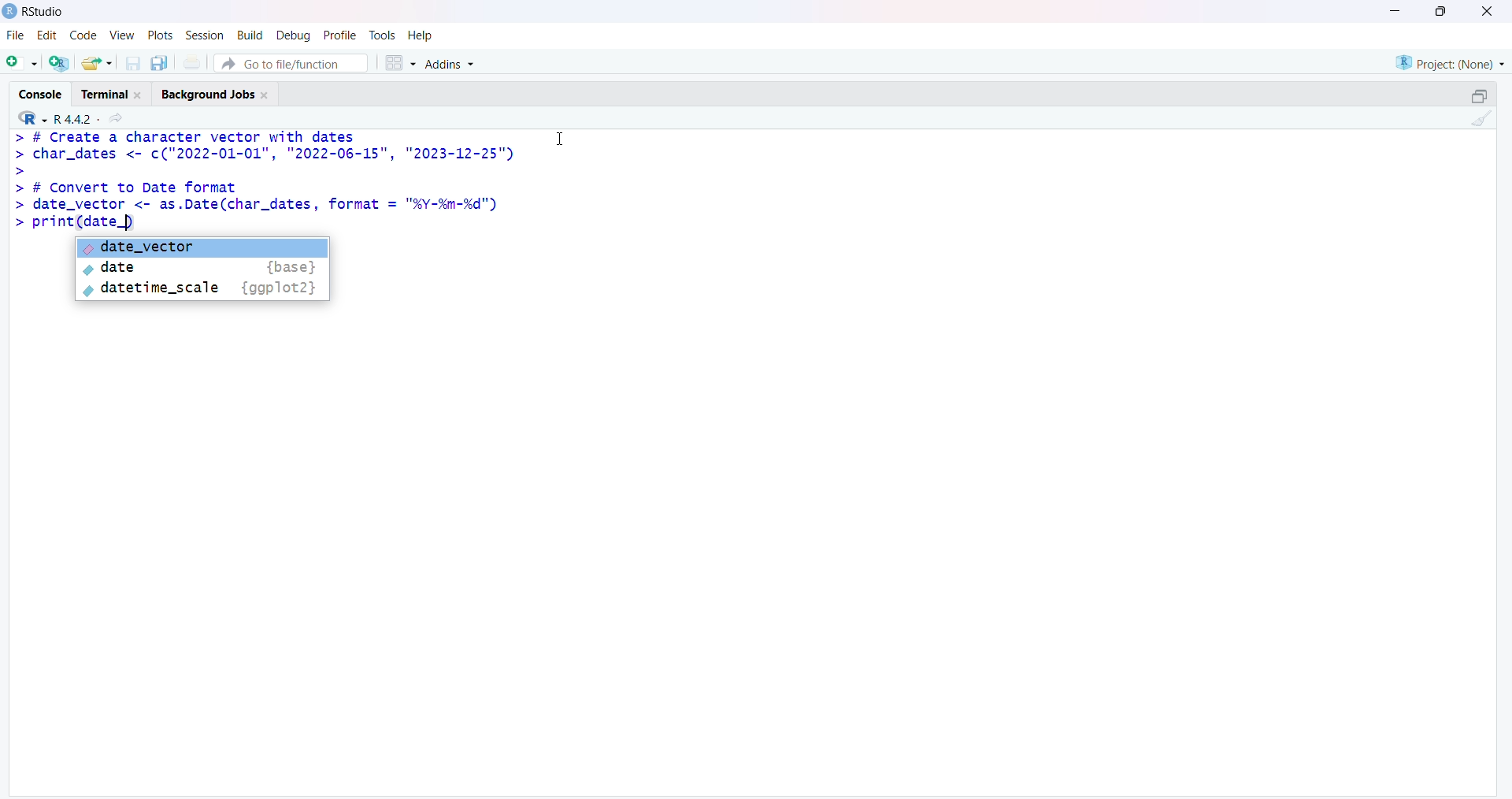 Image resolution: width=1512 pixels, height=799 pixels. I want to click on Save current document (Ctrl + S), so click(136, 60).